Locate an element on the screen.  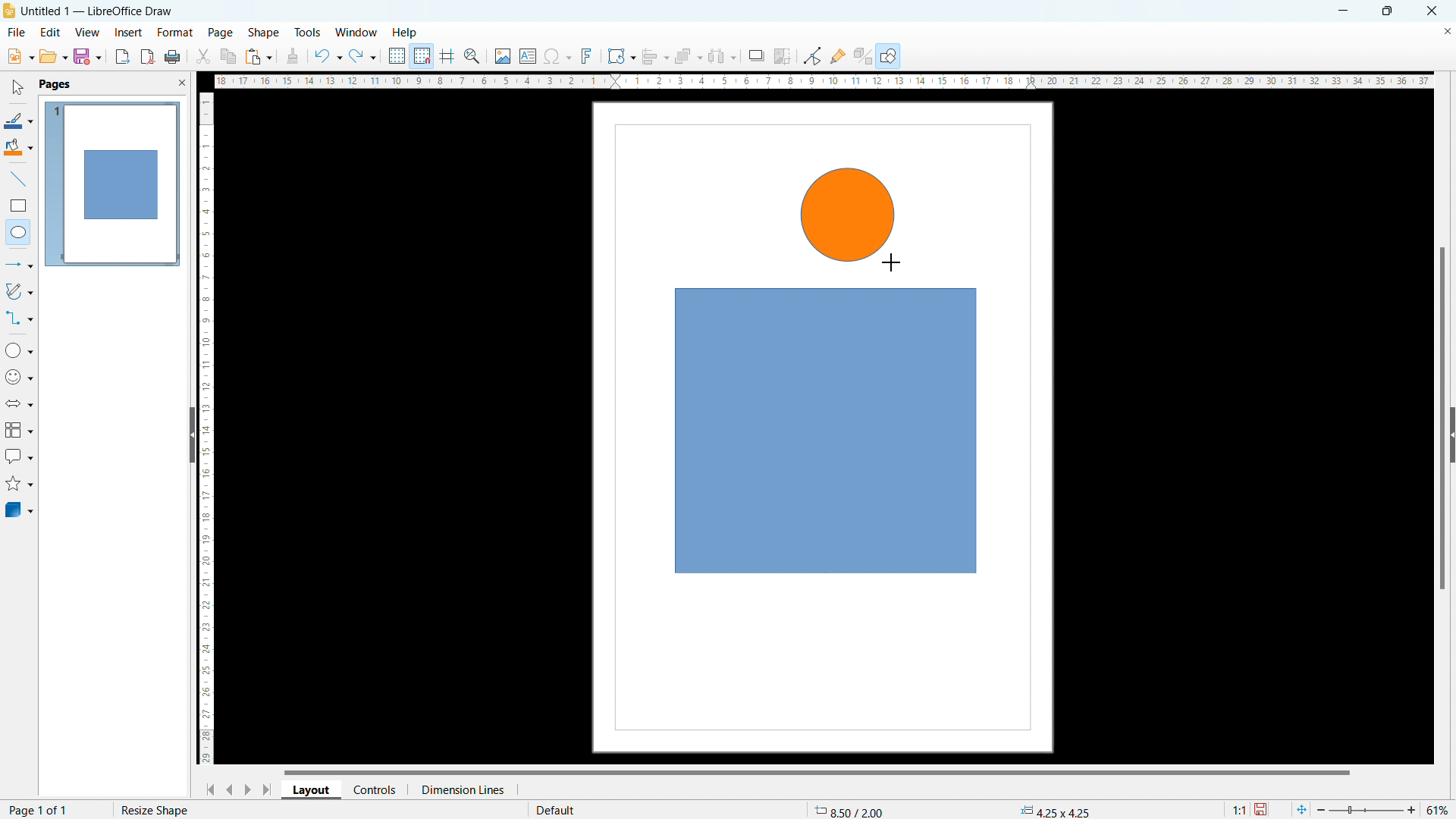
go to next page is located at coordinates (247, 789).